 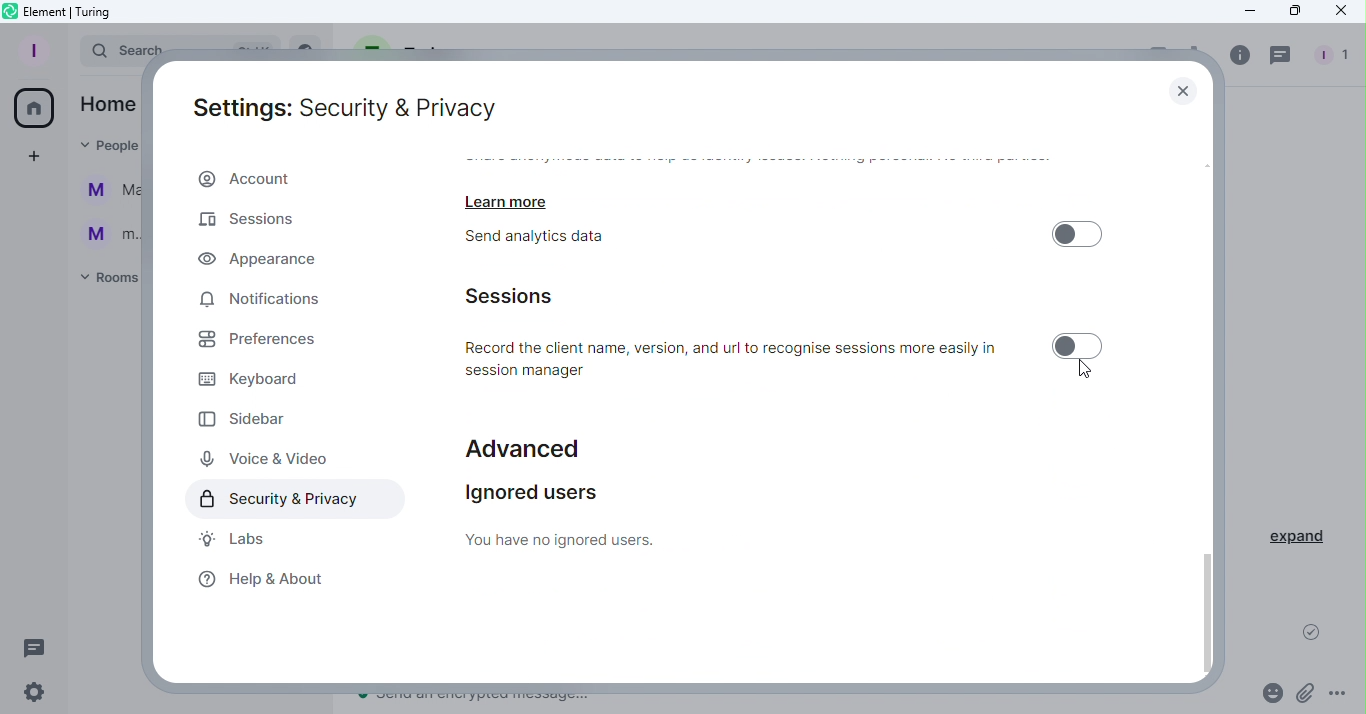 I want to click on m...@t..., so click(x=105, y=233).